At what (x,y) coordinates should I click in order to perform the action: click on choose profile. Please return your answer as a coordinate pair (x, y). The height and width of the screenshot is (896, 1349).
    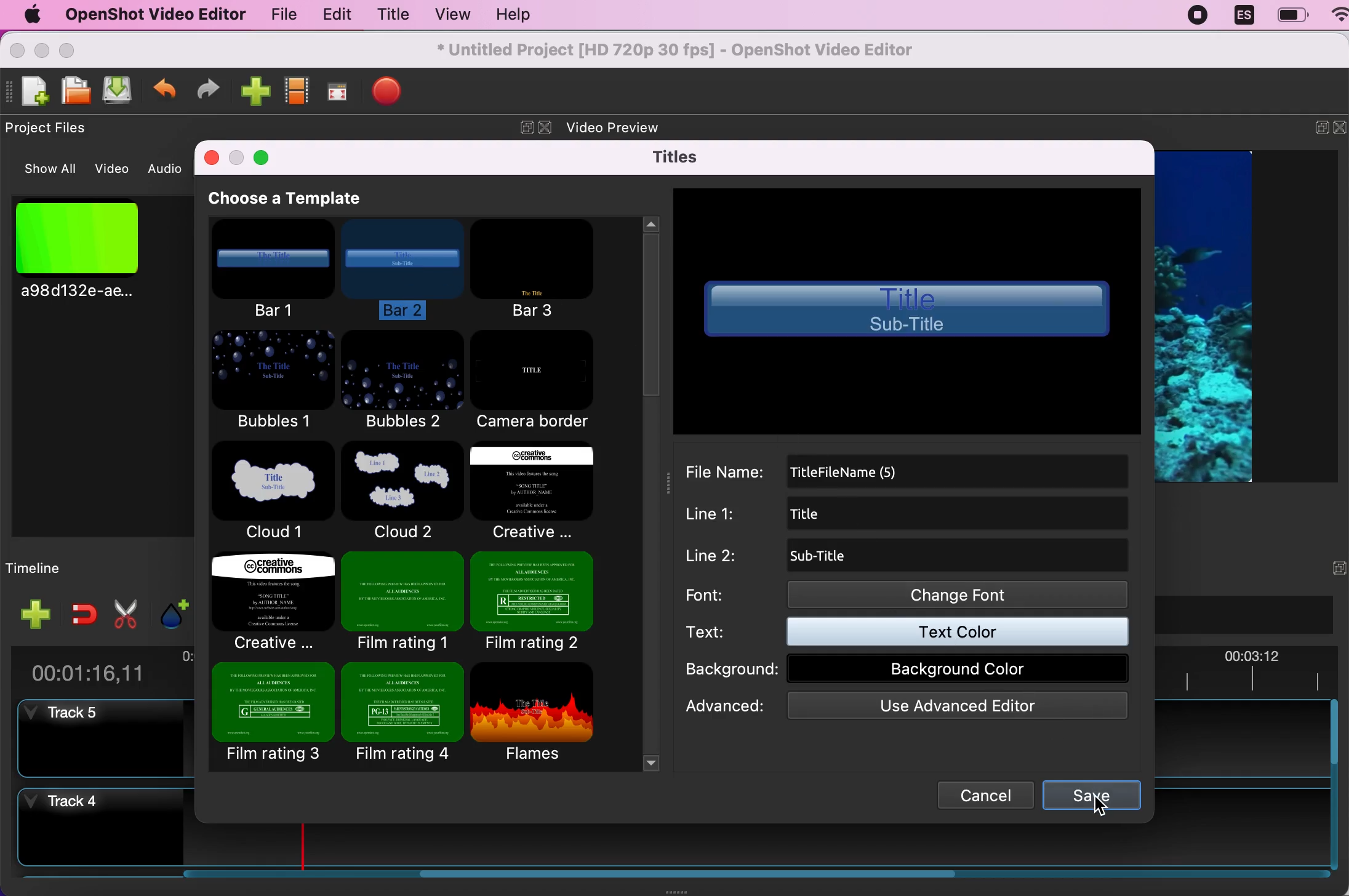
    Looking at the image, I should click on (298, 89).